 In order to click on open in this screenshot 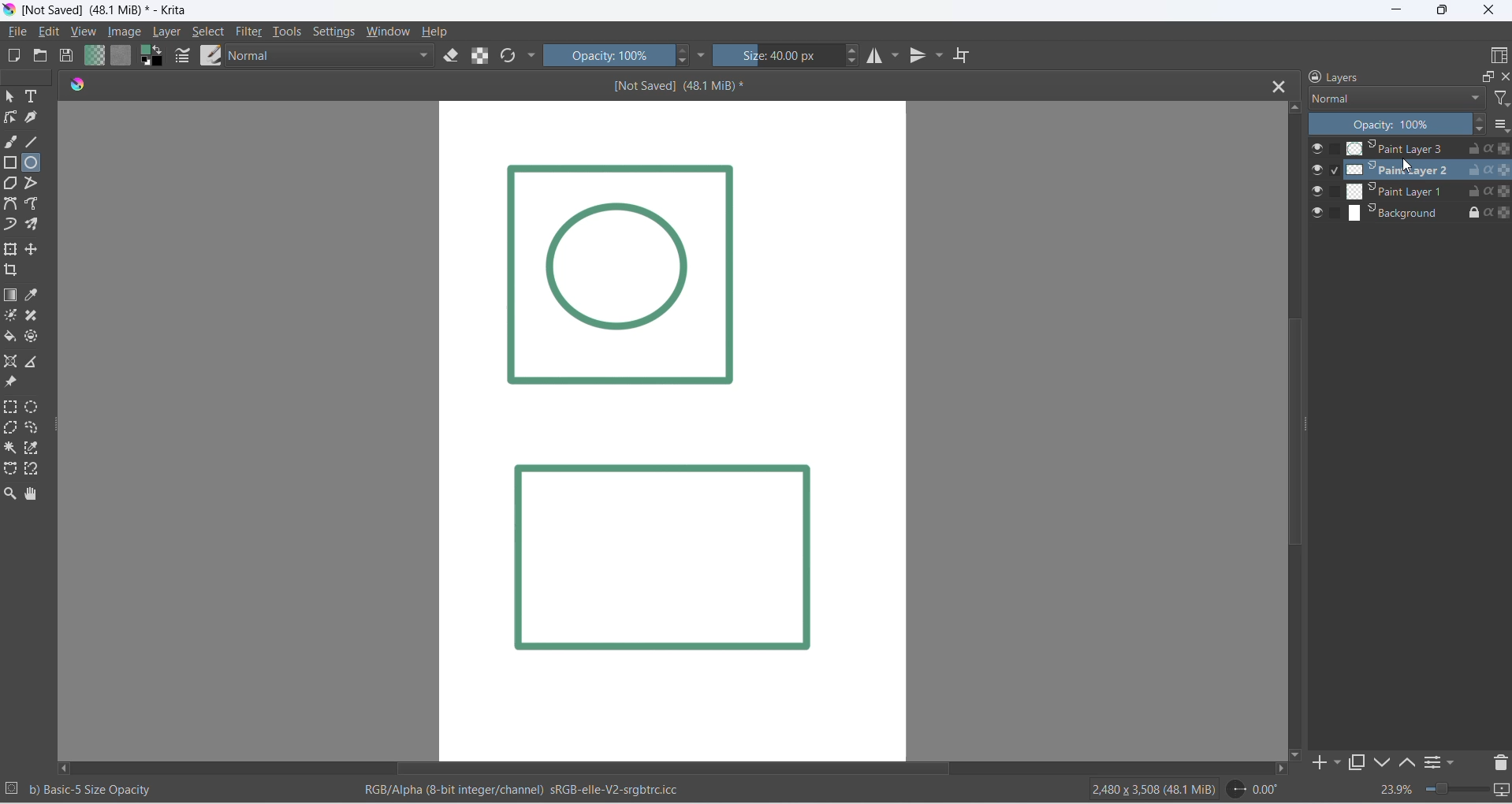, I will do `click(41, 56)`.